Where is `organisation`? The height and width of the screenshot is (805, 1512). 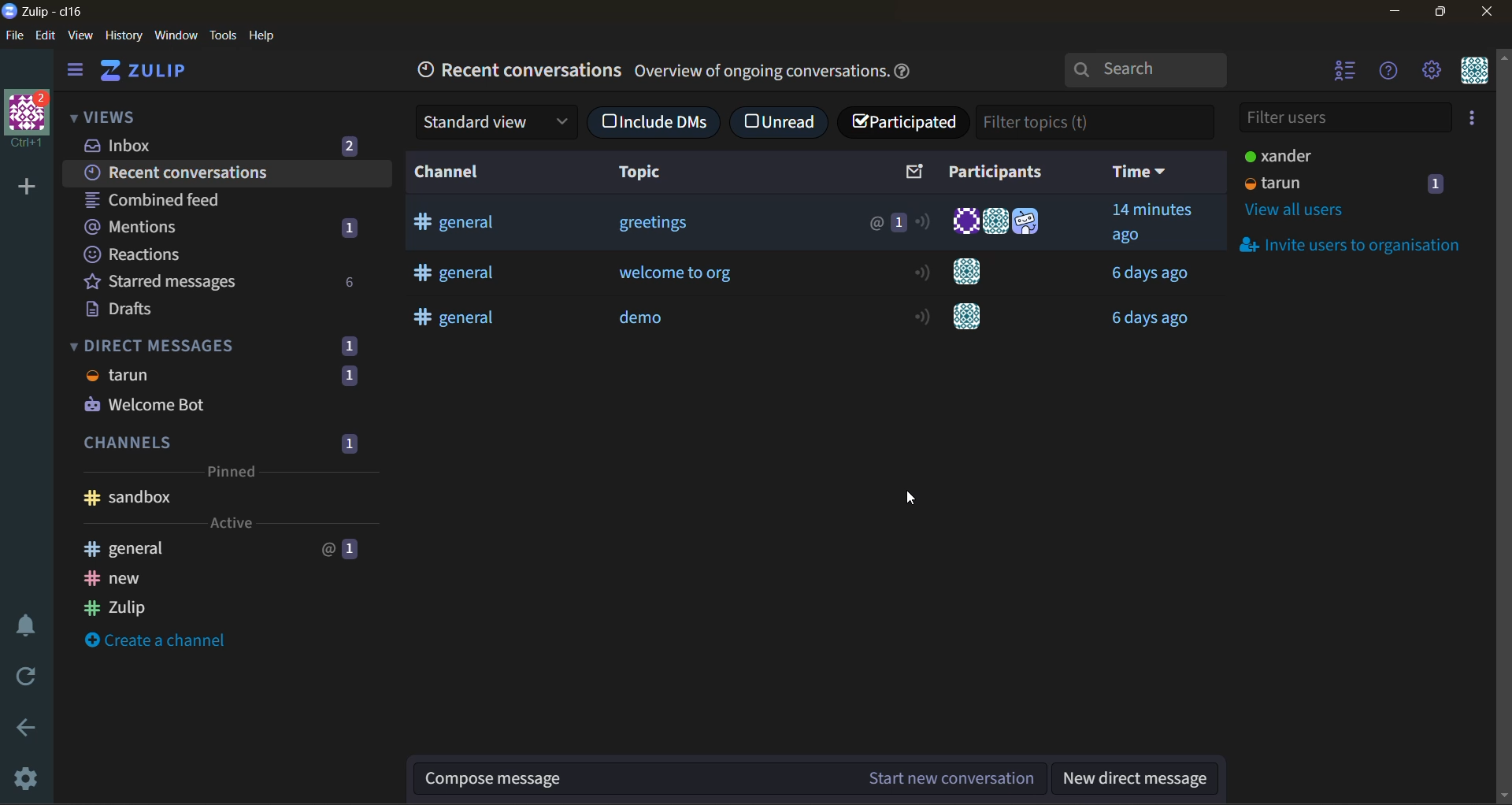
organisation is located at coordinates (27, 118).